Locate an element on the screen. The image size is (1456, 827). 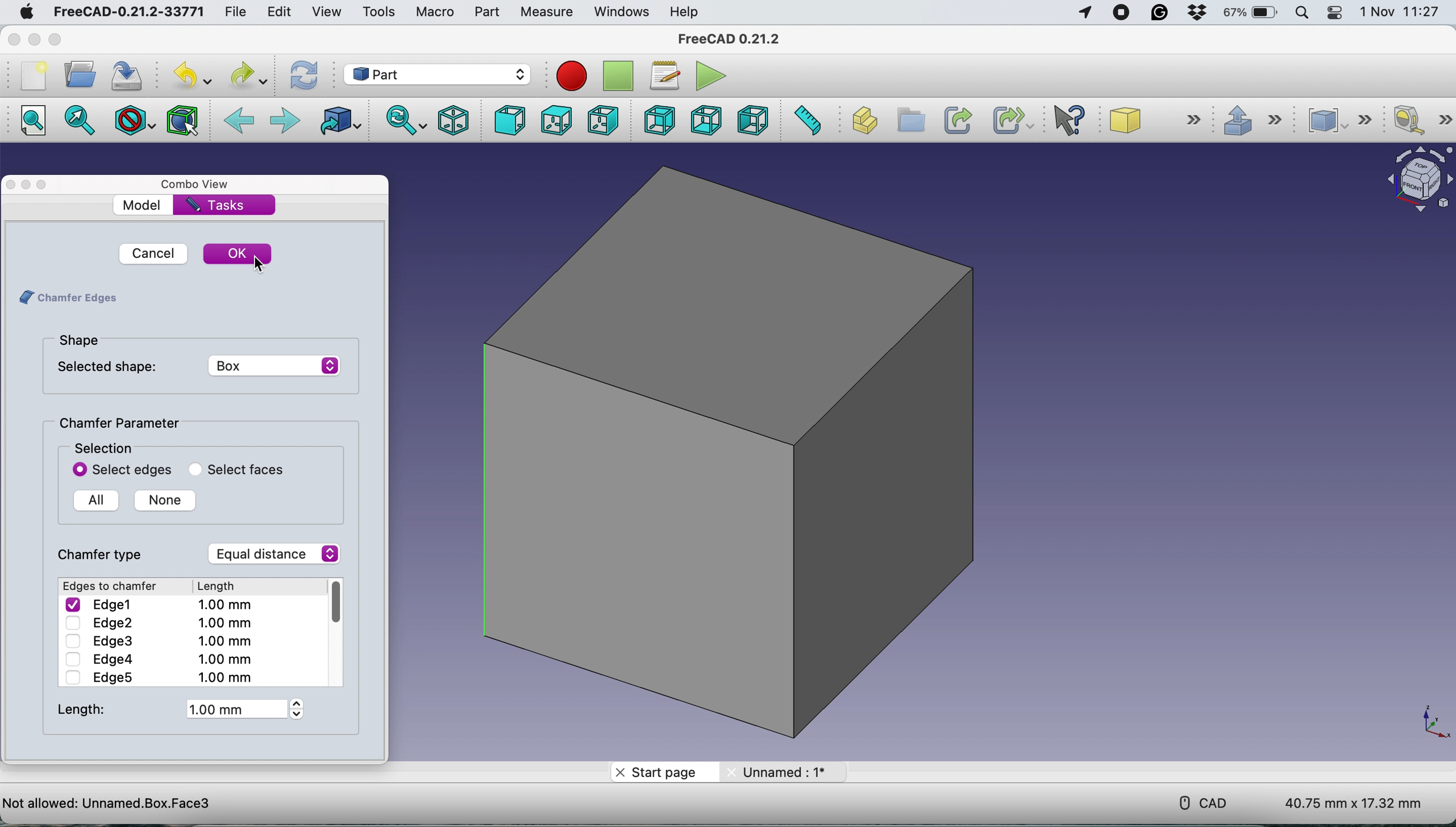
cancel is located at coordinates (152, 253).